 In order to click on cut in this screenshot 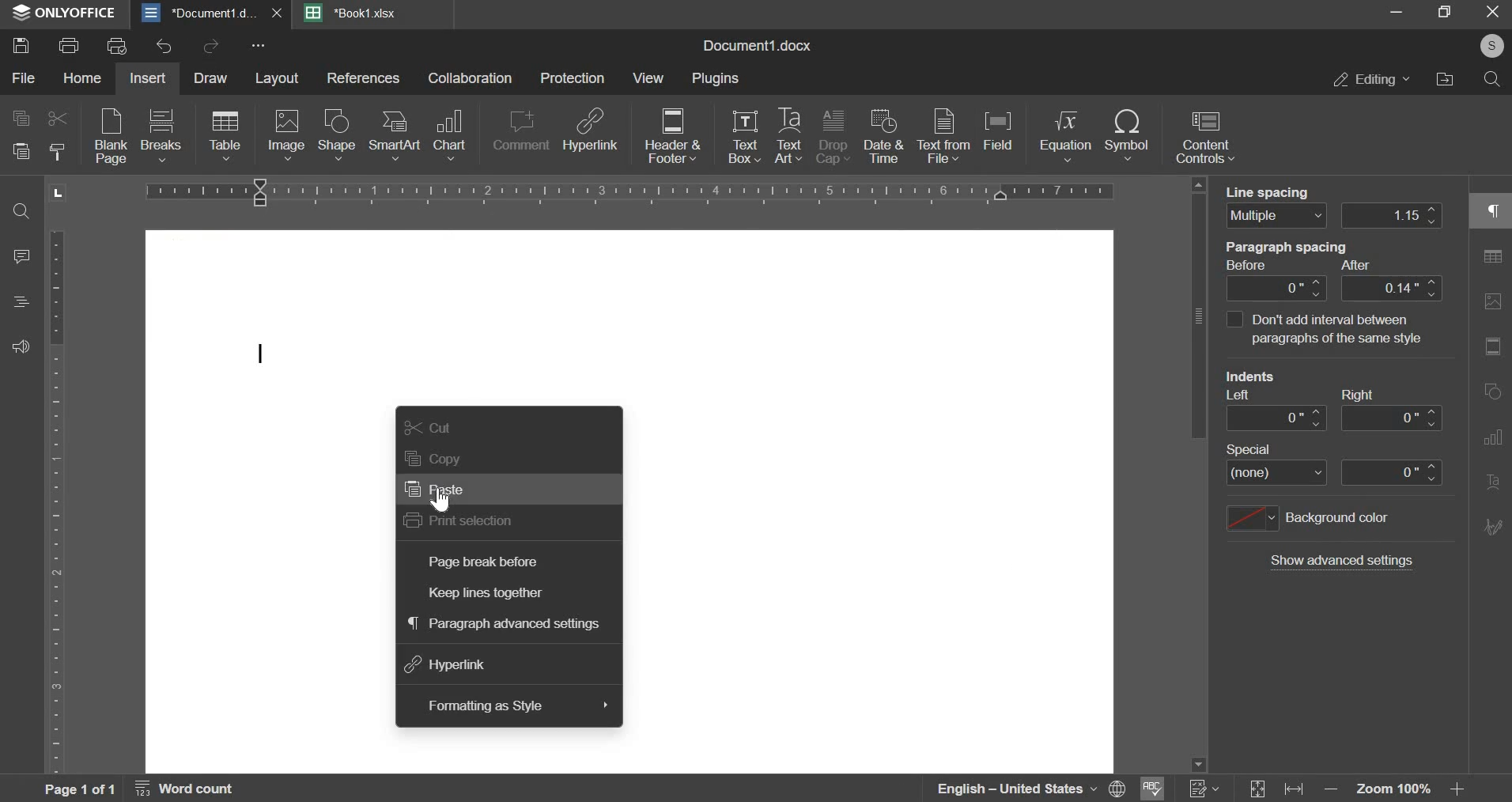, I will do `click(57, 117)`.